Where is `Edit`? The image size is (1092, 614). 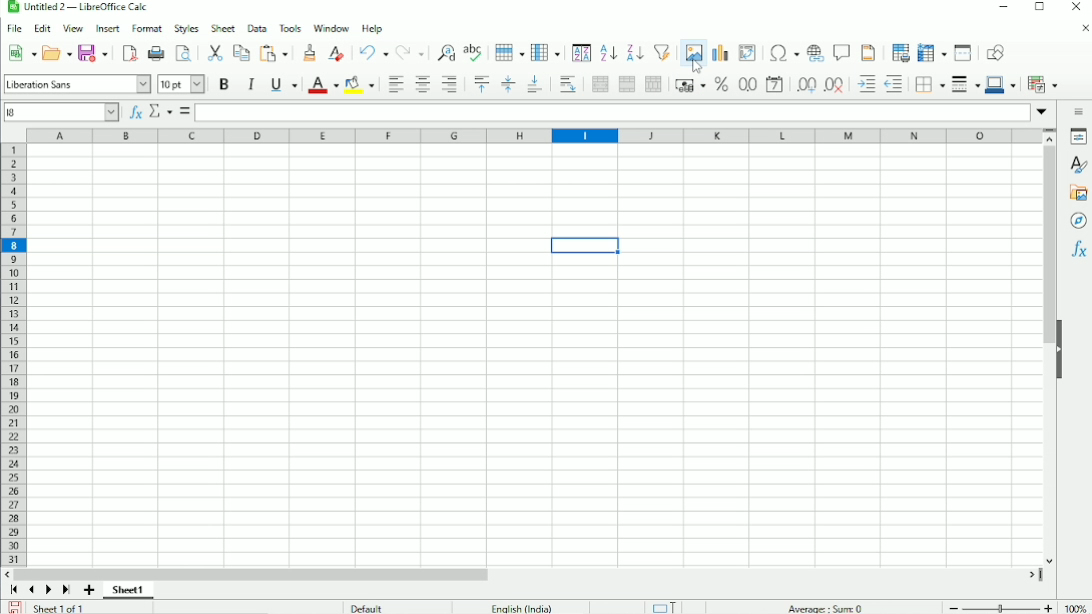 Edit is located at coordinates (42, 27).